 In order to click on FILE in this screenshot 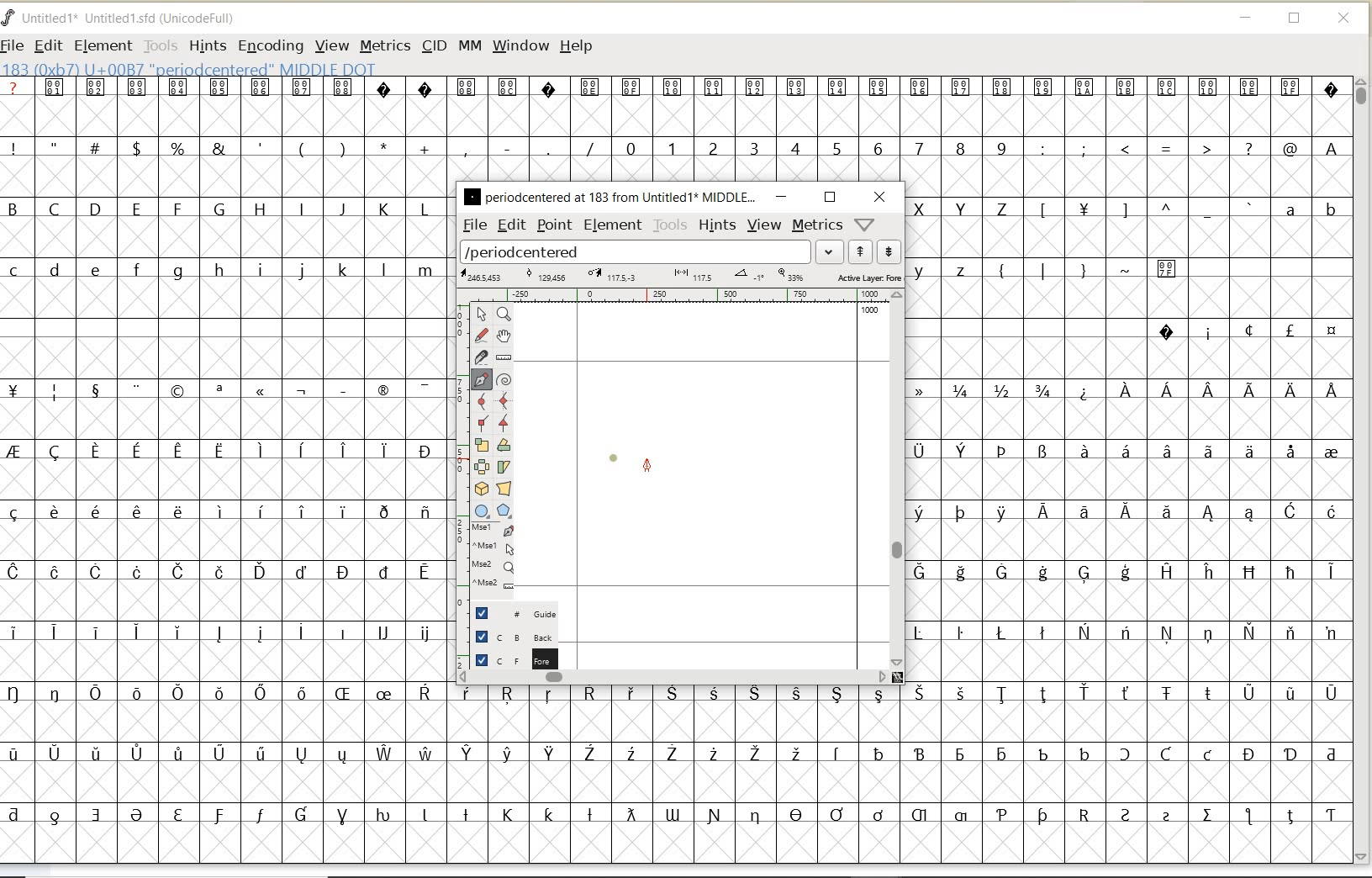, I will do `click(14, 45)`.